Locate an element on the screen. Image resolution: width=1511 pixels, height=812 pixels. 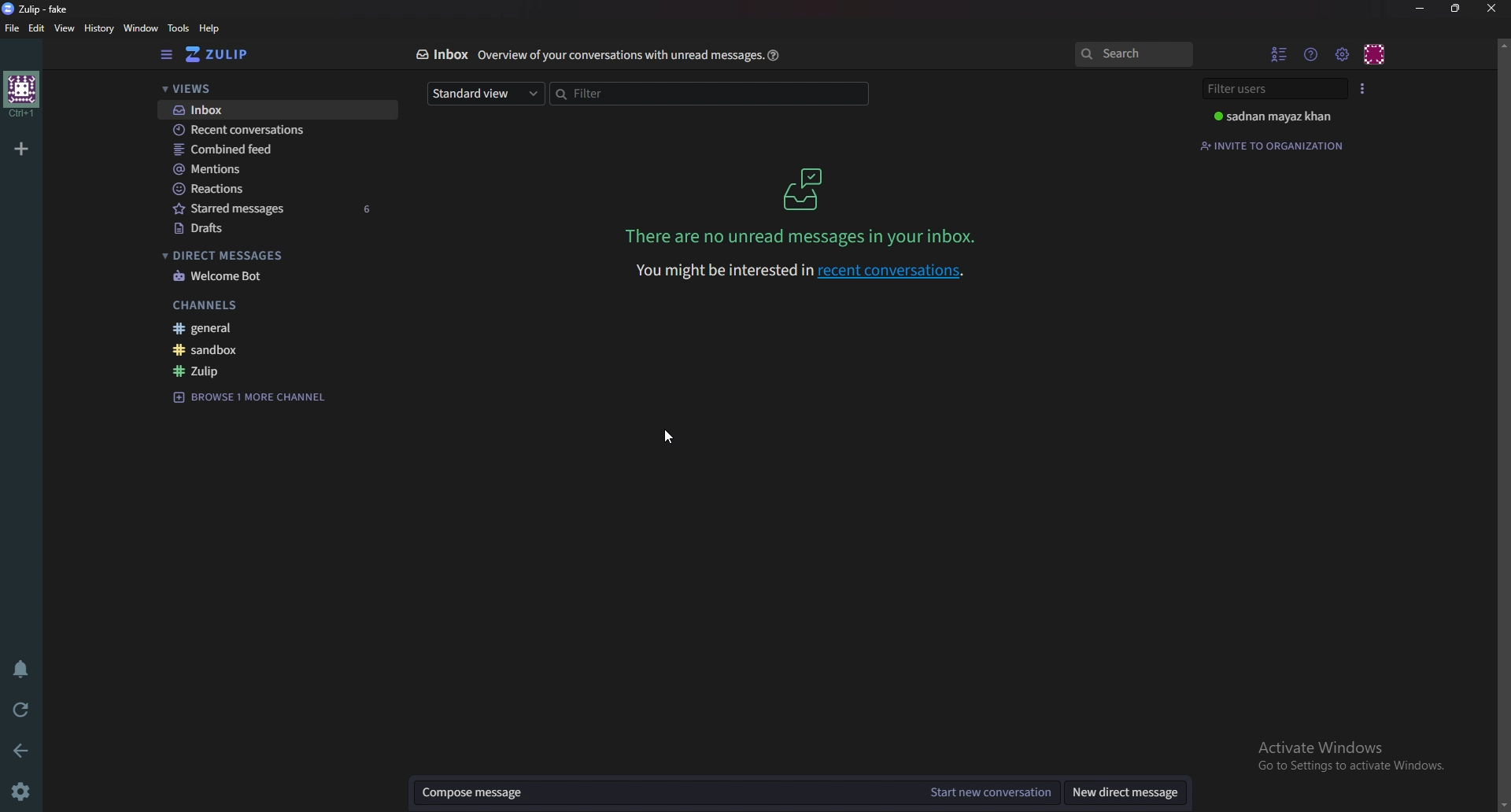
There are no unread messages in your inbox. is located at coordinates (800, 235).